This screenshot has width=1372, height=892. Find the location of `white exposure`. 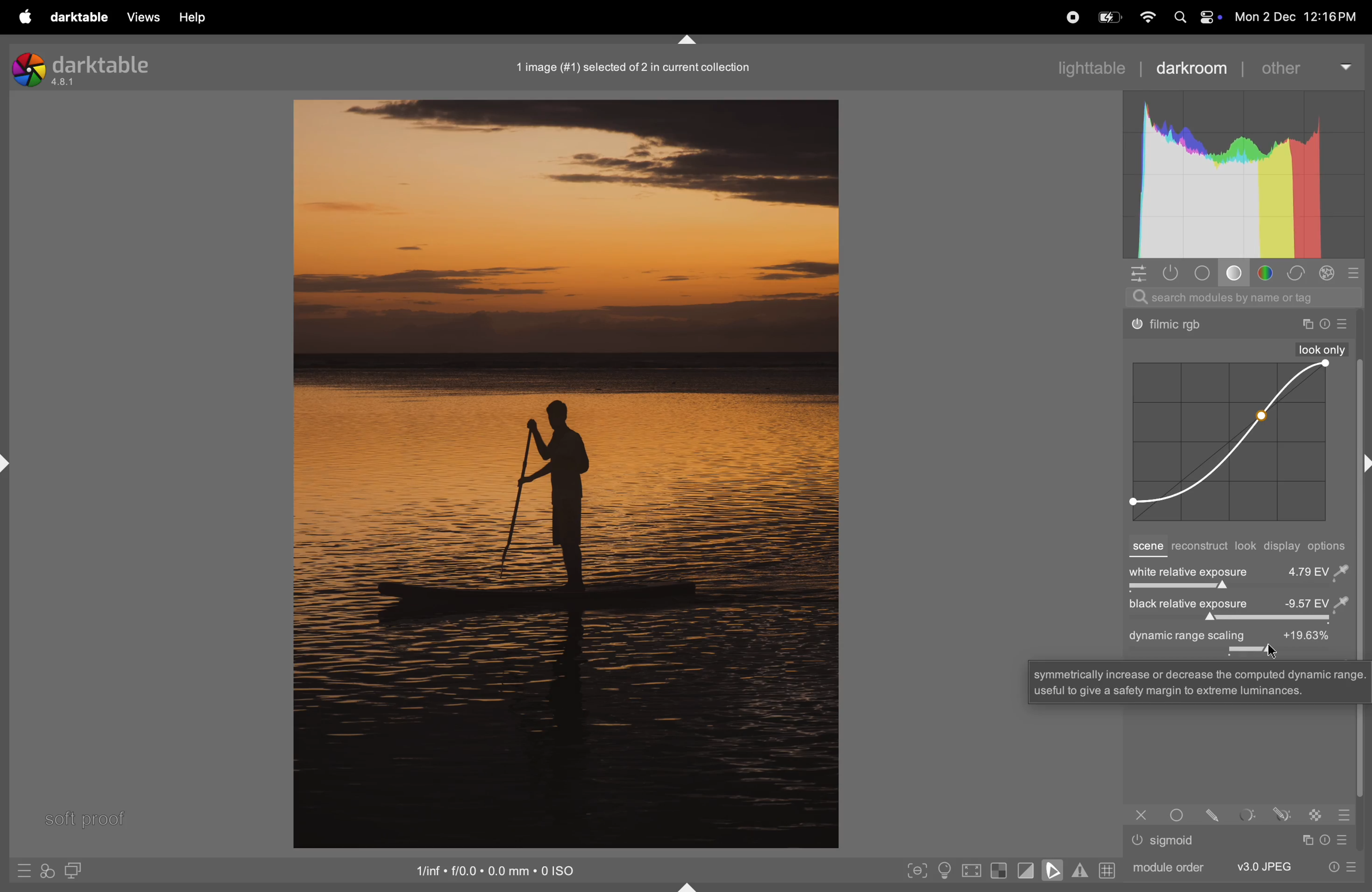

white exposure is located at coordinates (1238, 570).